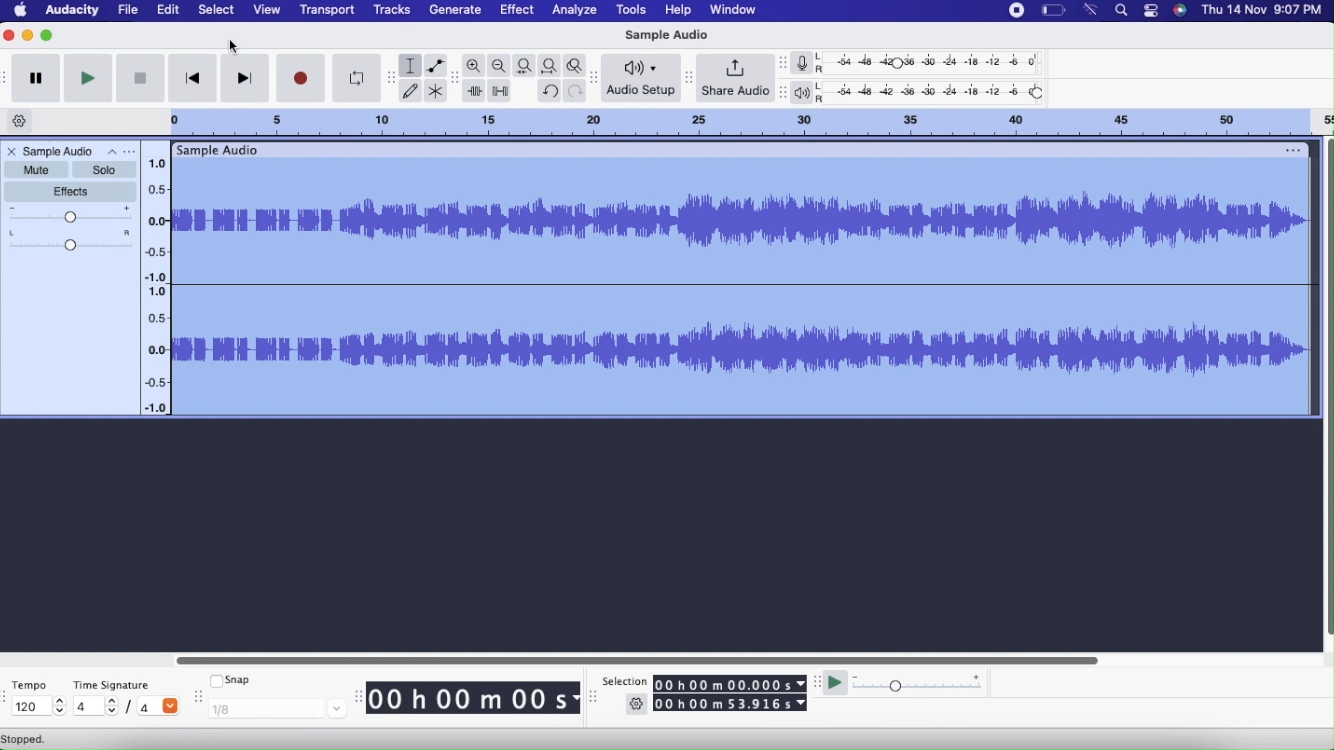 This screenshot has height=750, width=1334. I want to click on Share Audio, so click(736, 78).